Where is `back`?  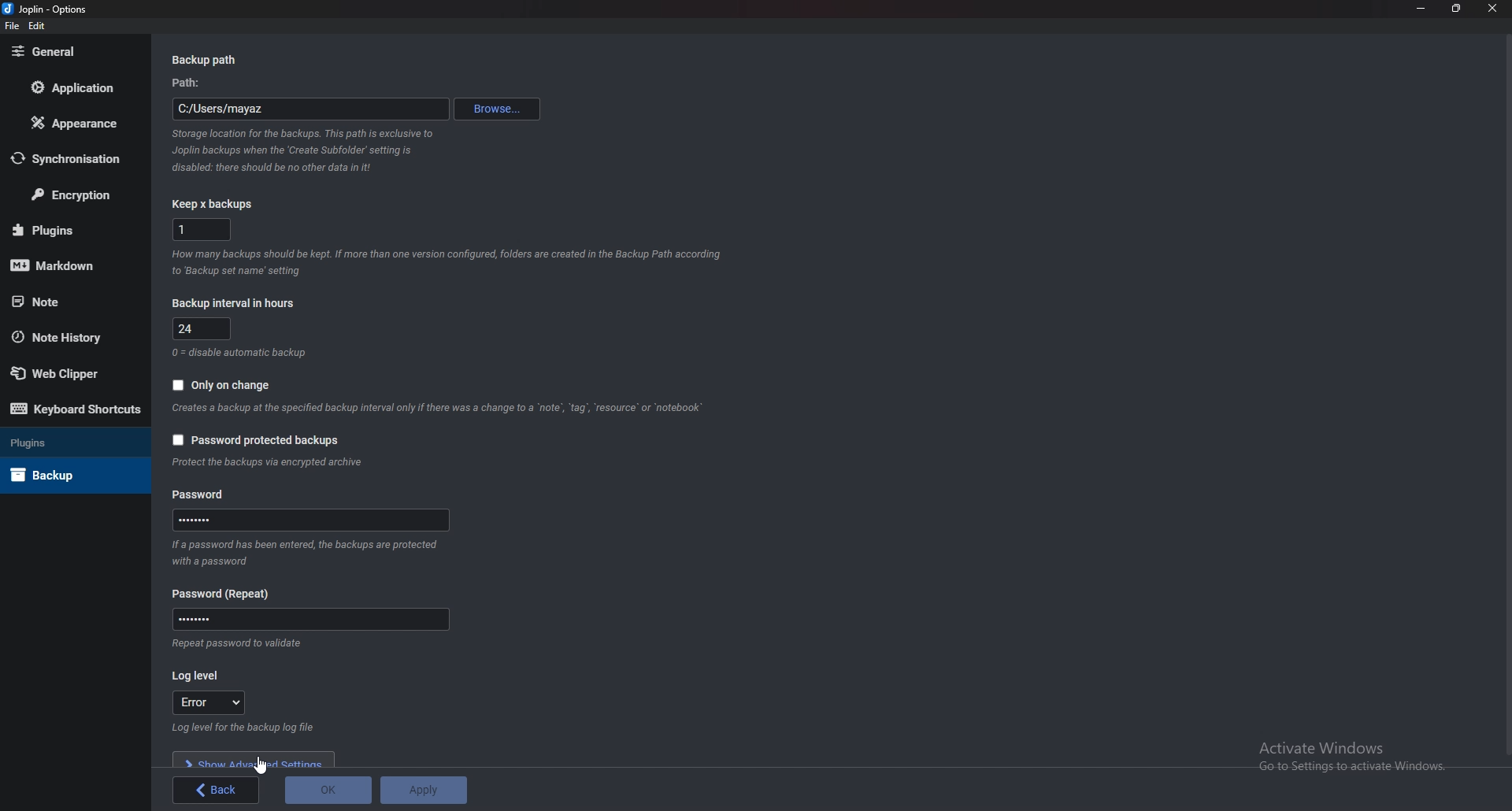
back is located at coordinates (217, 790).